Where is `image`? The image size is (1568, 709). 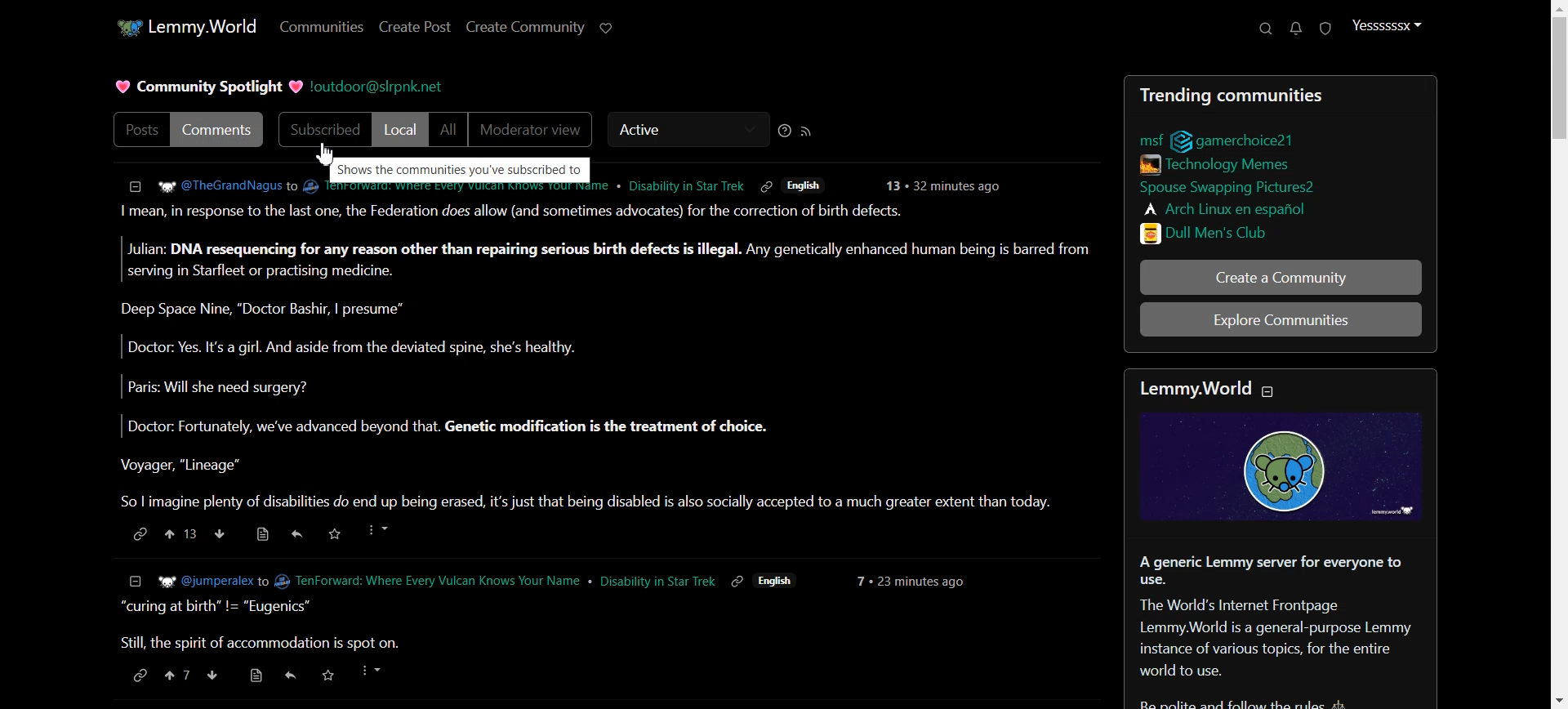 image is located at coordinates (1293, 469).